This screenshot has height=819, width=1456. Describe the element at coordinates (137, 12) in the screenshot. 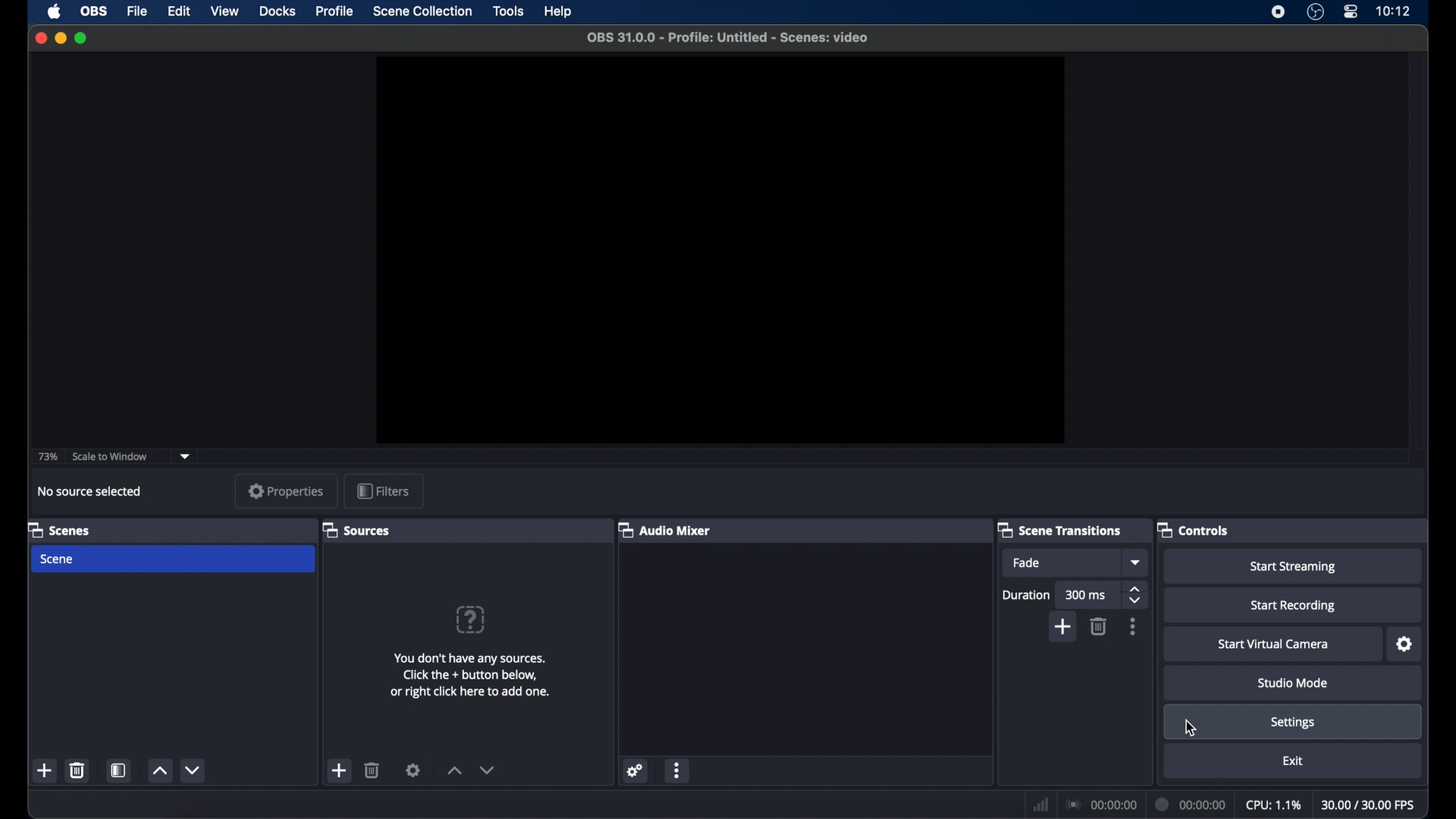

I see `file` at that location.